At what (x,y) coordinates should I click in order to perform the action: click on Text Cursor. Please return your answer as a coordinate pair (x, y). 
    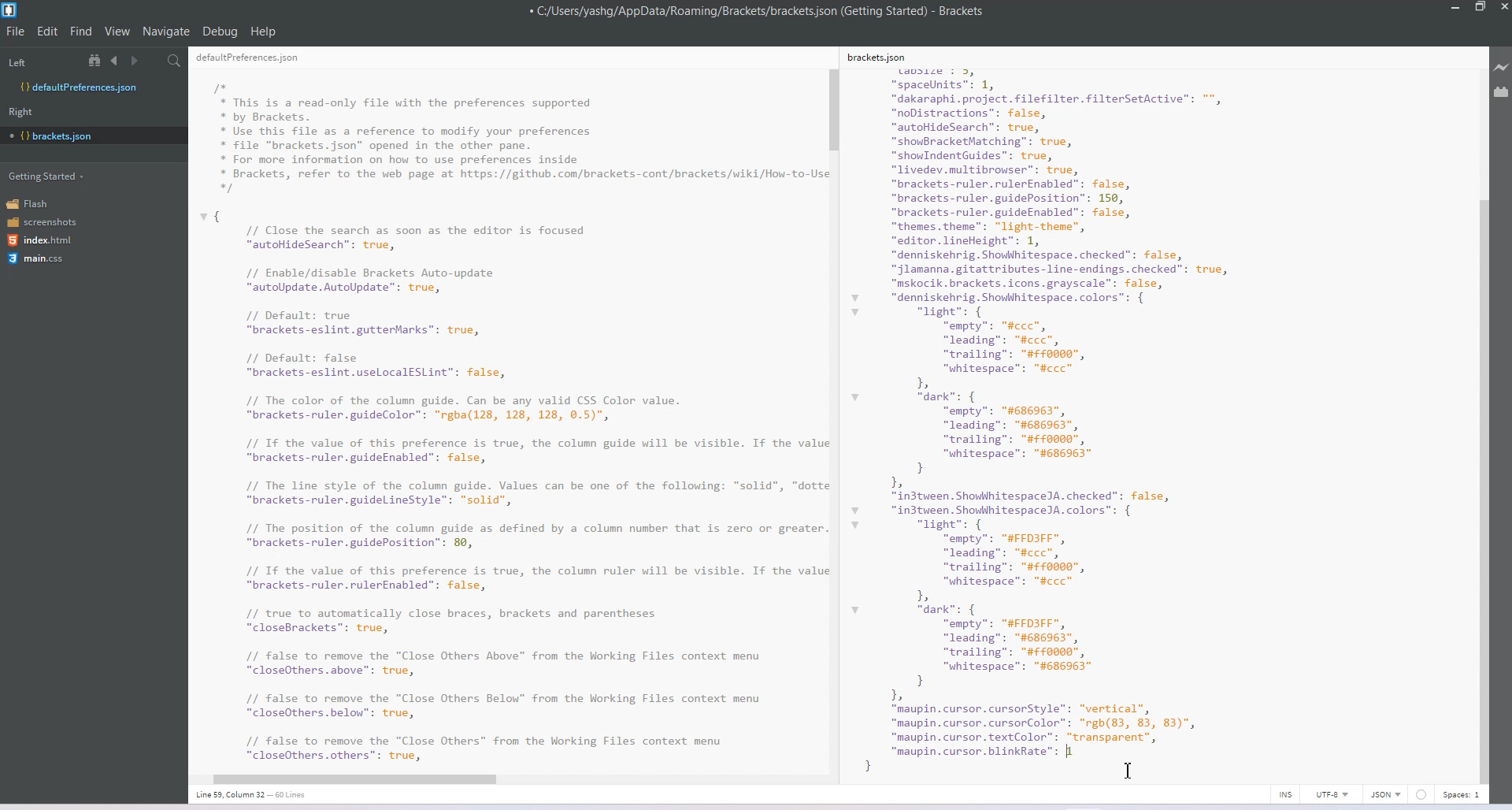
    Looking at the image, I should click on (1129, 769).